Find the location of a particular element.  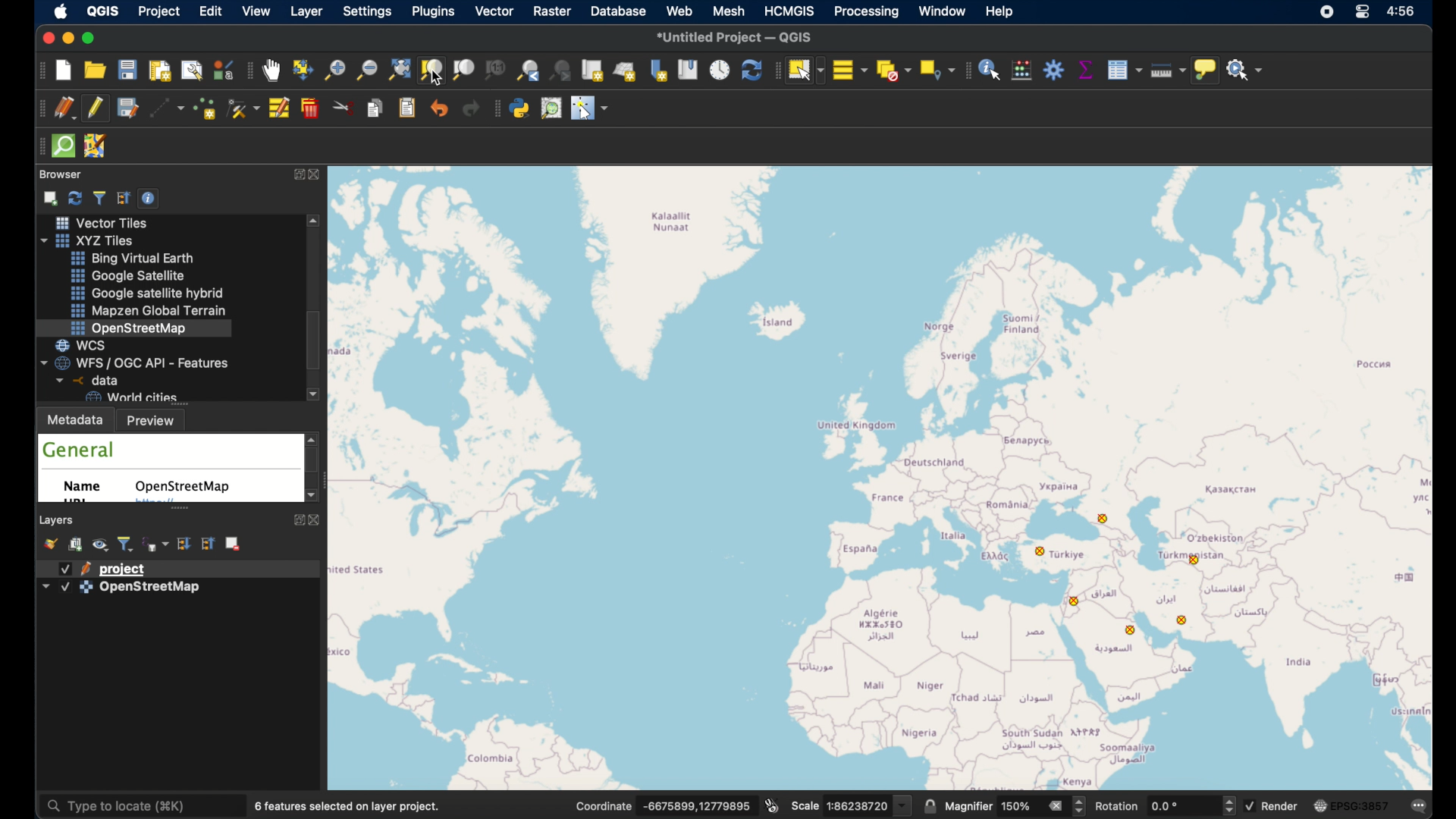

cut features is located at coordinates (344, 108).